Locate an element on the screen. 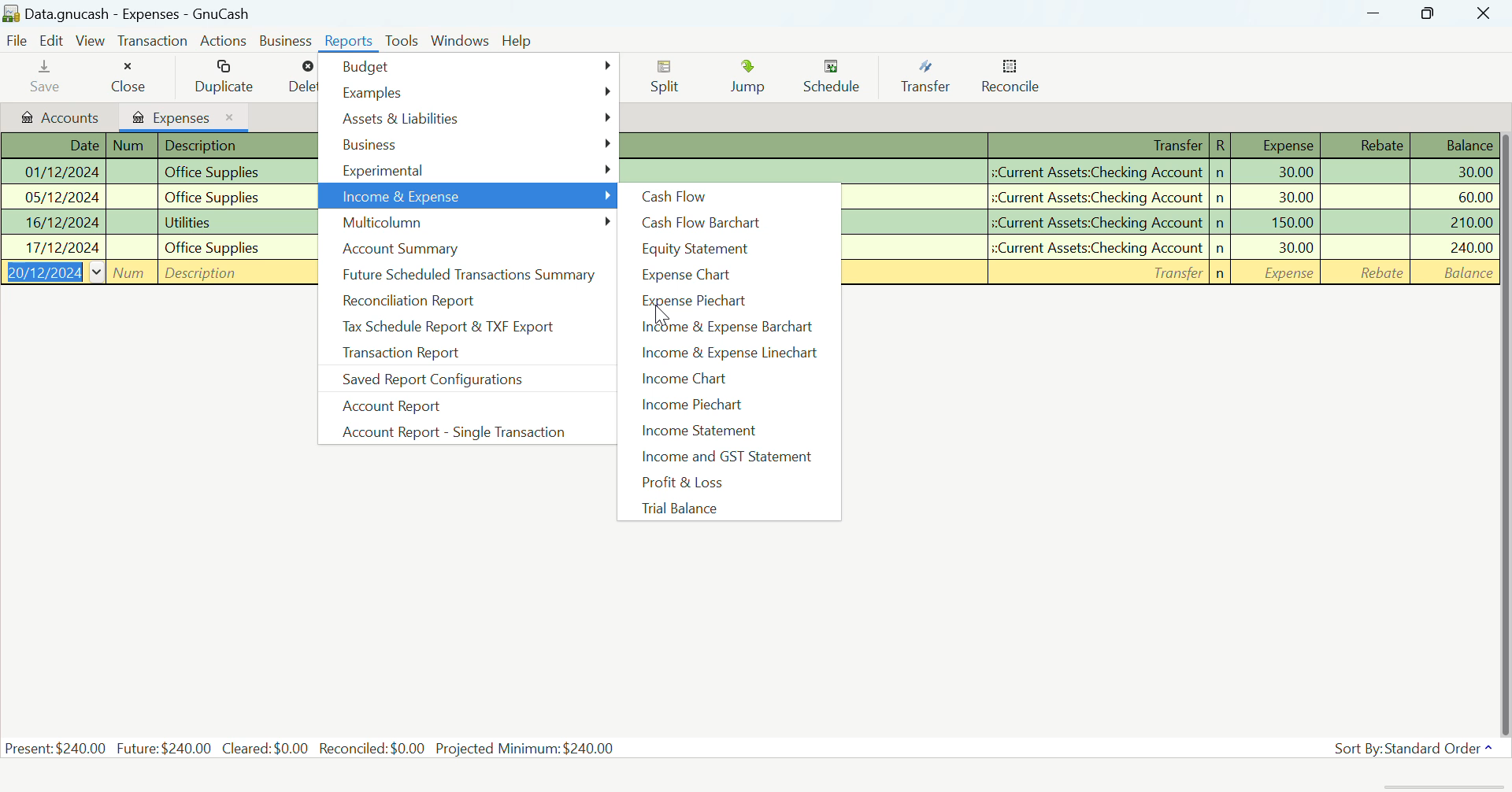  Assets & Liabilities is located at coordinates (469, 120).